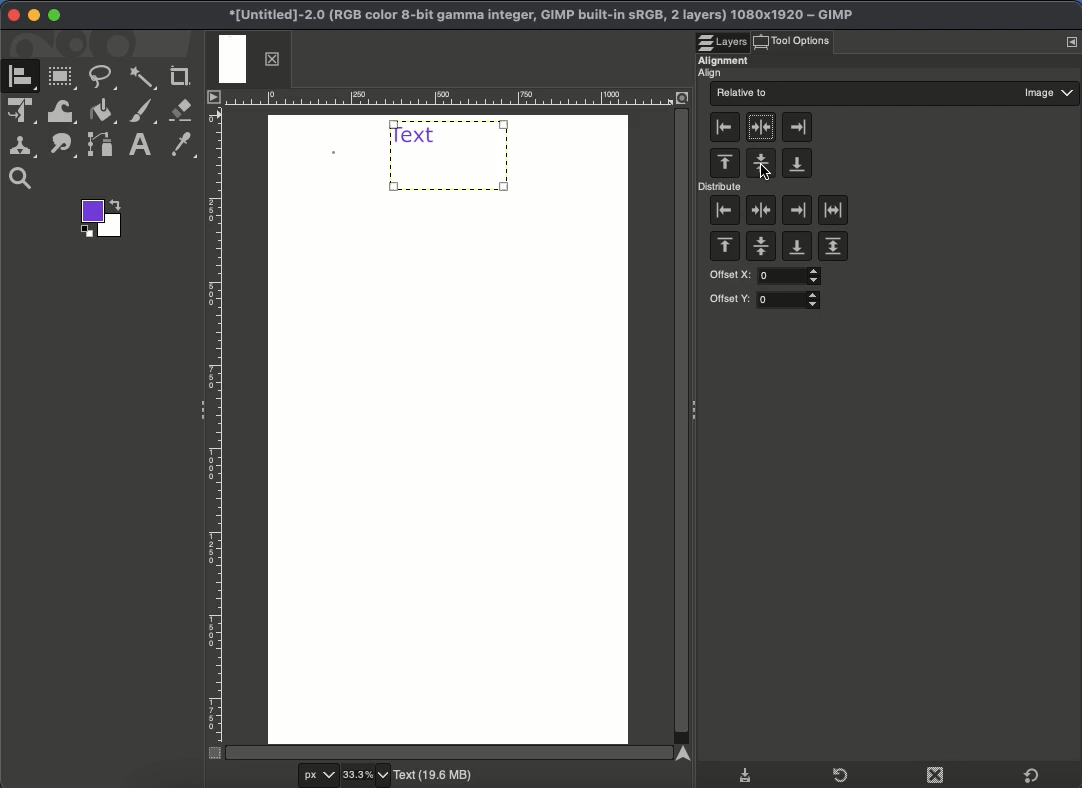  I want to click on Freehand tool, so click(104, 79).